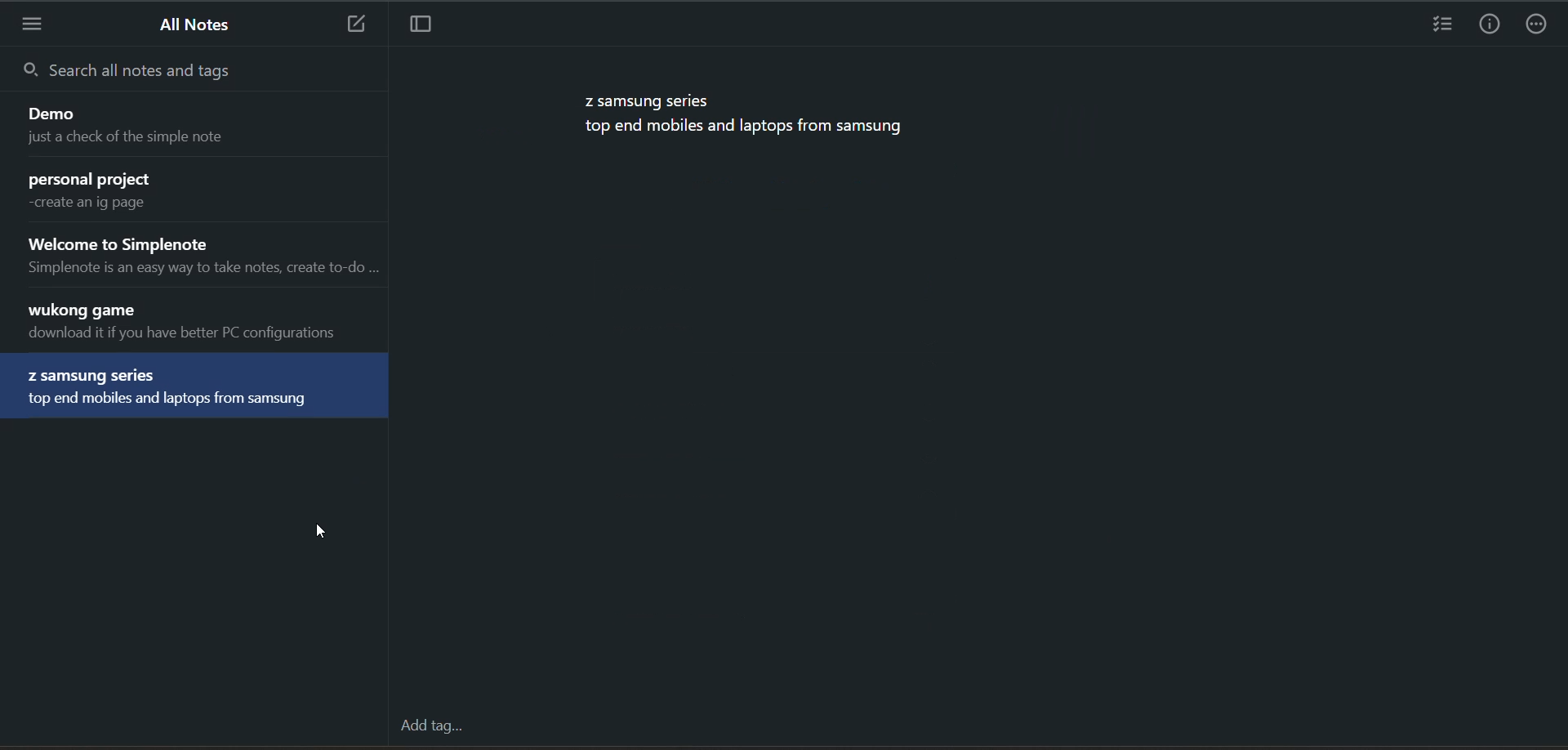  Describe the element at coordinates (34, 28) in the screenshot. I see `menu` at that location.